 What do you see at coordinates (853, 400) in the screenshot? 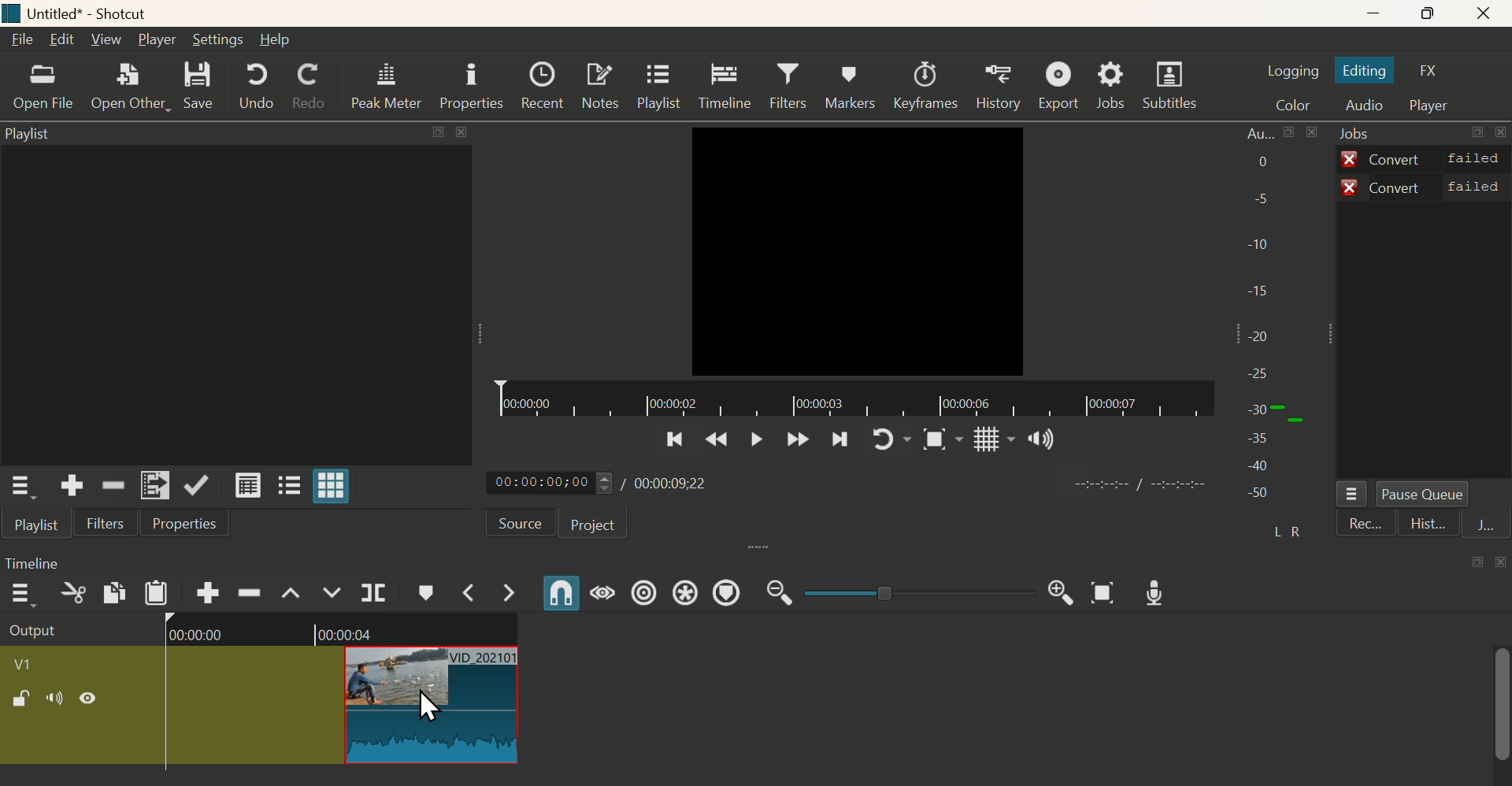
I see `Timeline` at bounding box center [853, 400].